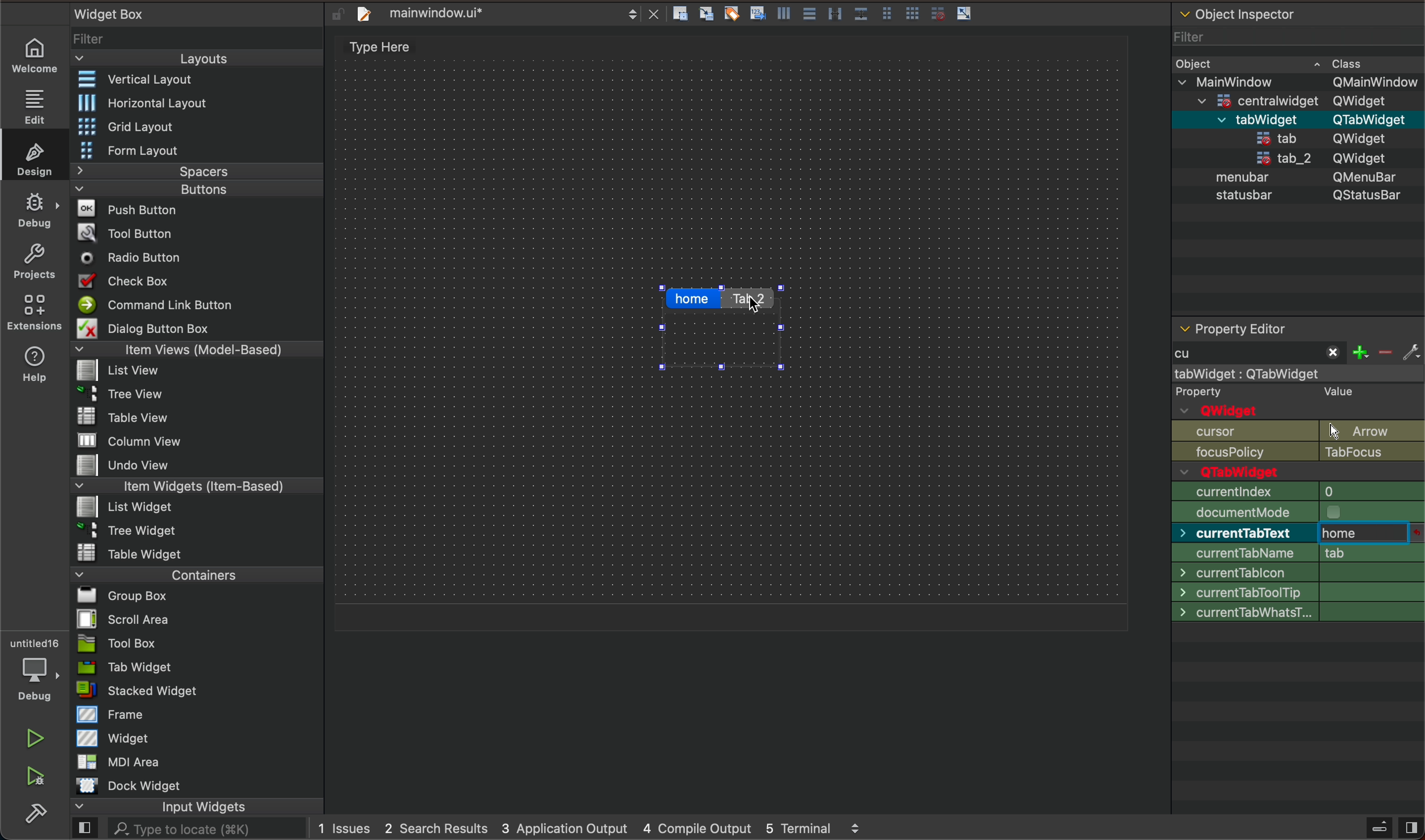 The height and width of the screenshot is (840, 1425). What do you see at coordinates (155, 304) in the screenshot?
I see ` Command Link Button` at bounding box center [155, 304].